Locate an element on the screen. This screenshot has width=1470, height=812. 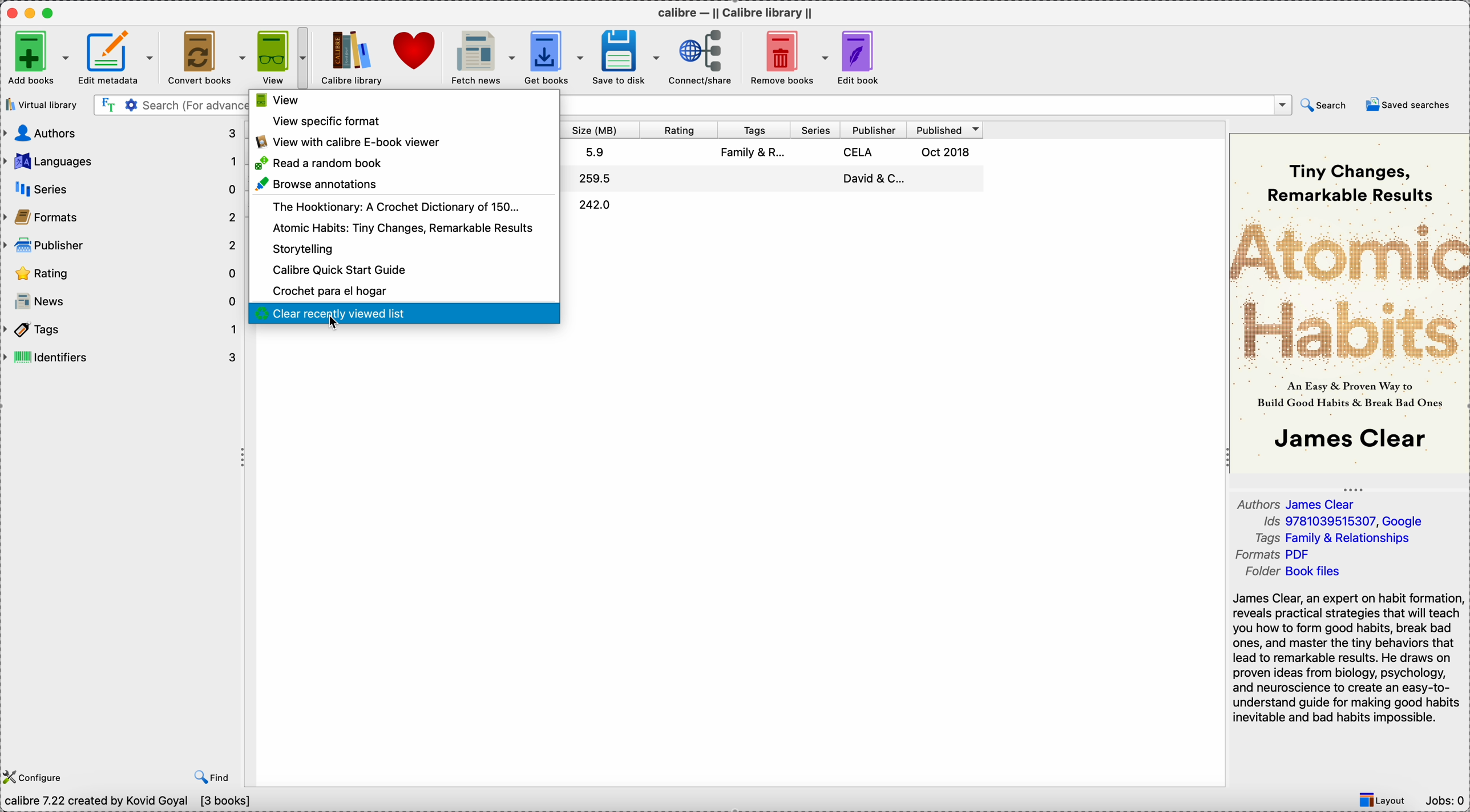
David & C... is located at coordinates (873, 178).